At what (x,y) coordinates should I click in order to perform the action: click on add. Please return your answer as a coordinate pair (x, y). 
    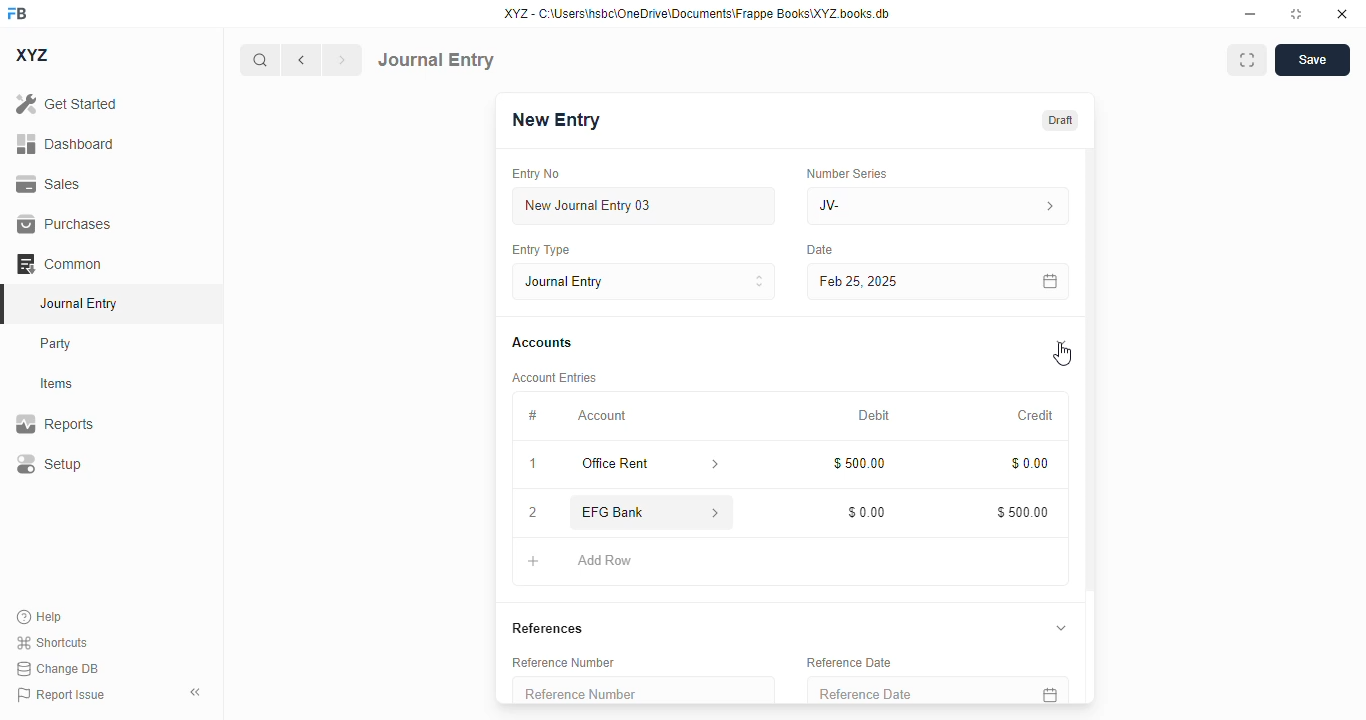
    Looking at the image, I should click on (534, 561).